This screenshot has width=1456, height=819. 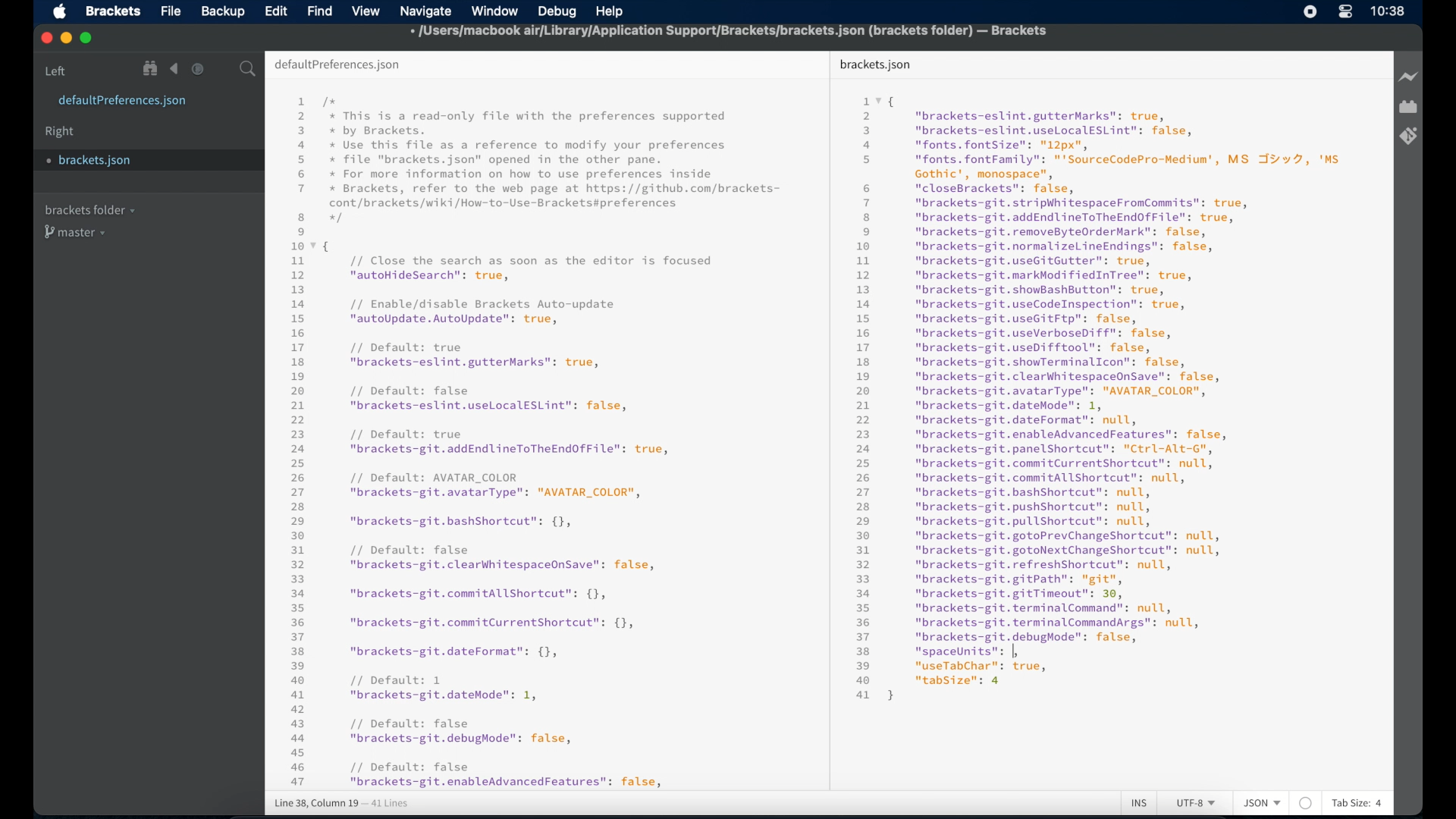 I want to click on brackets folder, so click(x=89, y=209).